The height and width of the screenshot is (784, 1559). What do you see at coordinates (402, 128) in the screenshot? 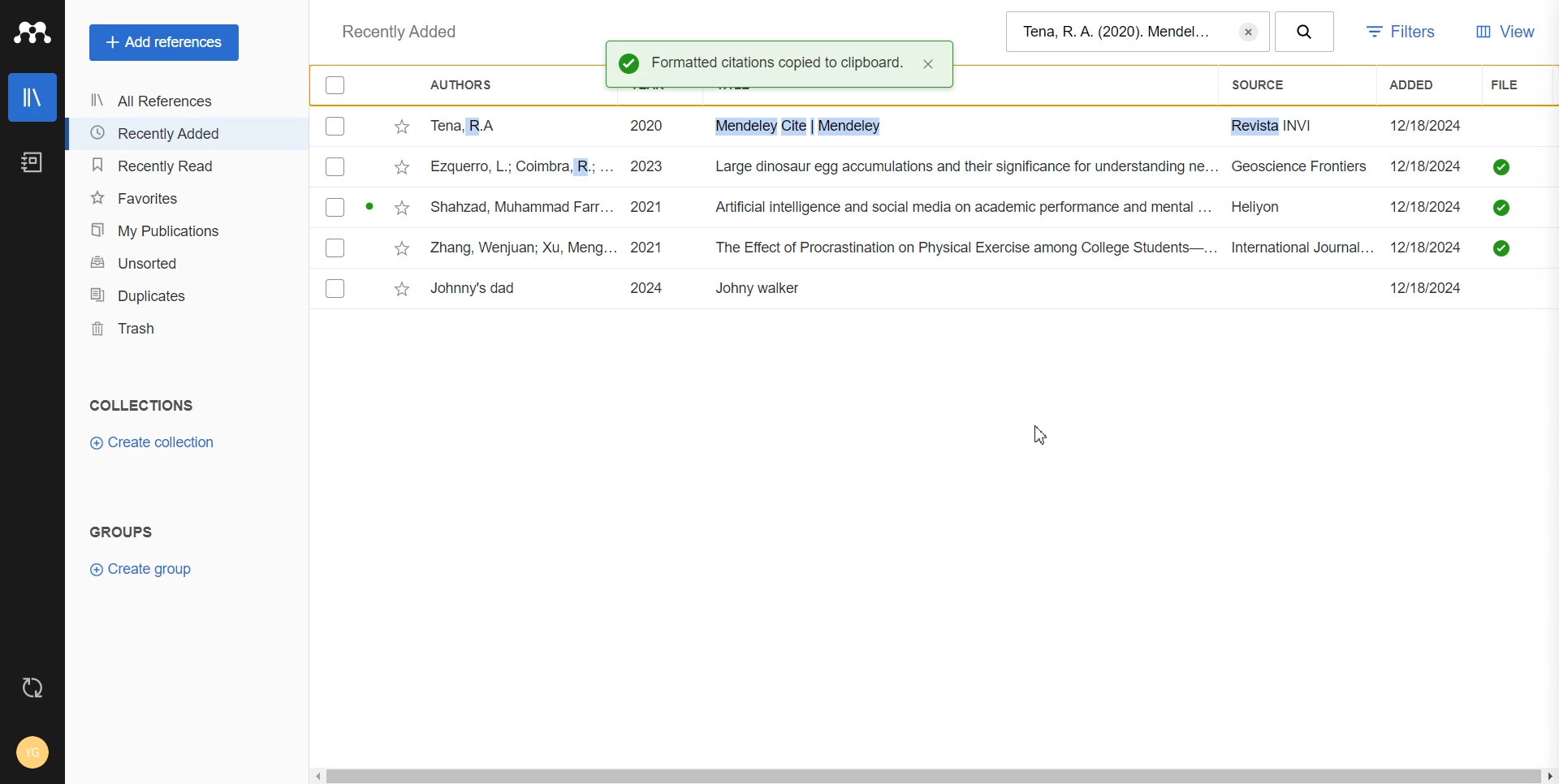
I see `Star` at bounding box center [402, 128].